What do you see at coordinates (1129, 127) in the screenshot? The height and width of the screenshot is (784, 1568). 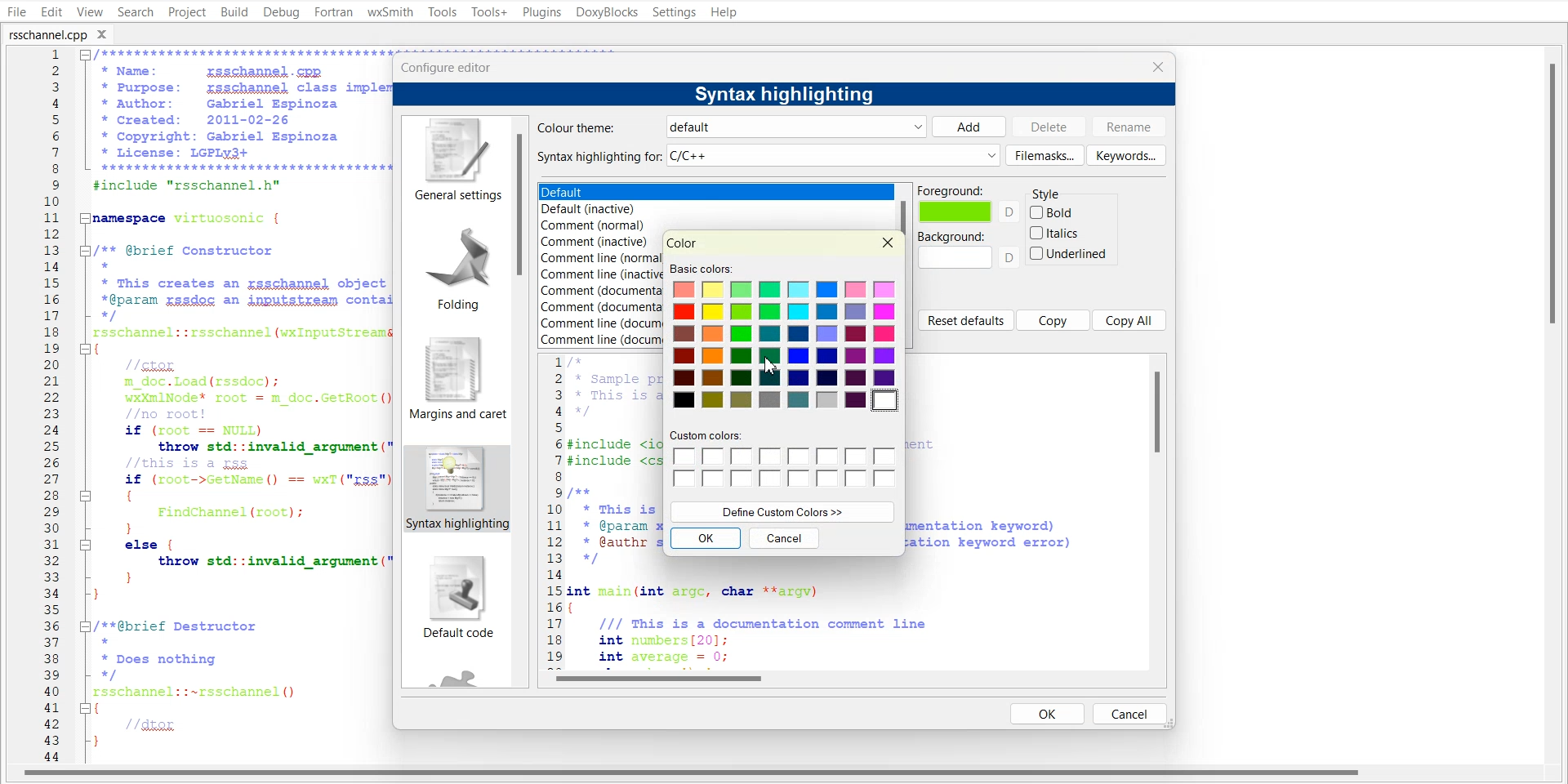 I see `Rename` at bounding box center [1129, 127].